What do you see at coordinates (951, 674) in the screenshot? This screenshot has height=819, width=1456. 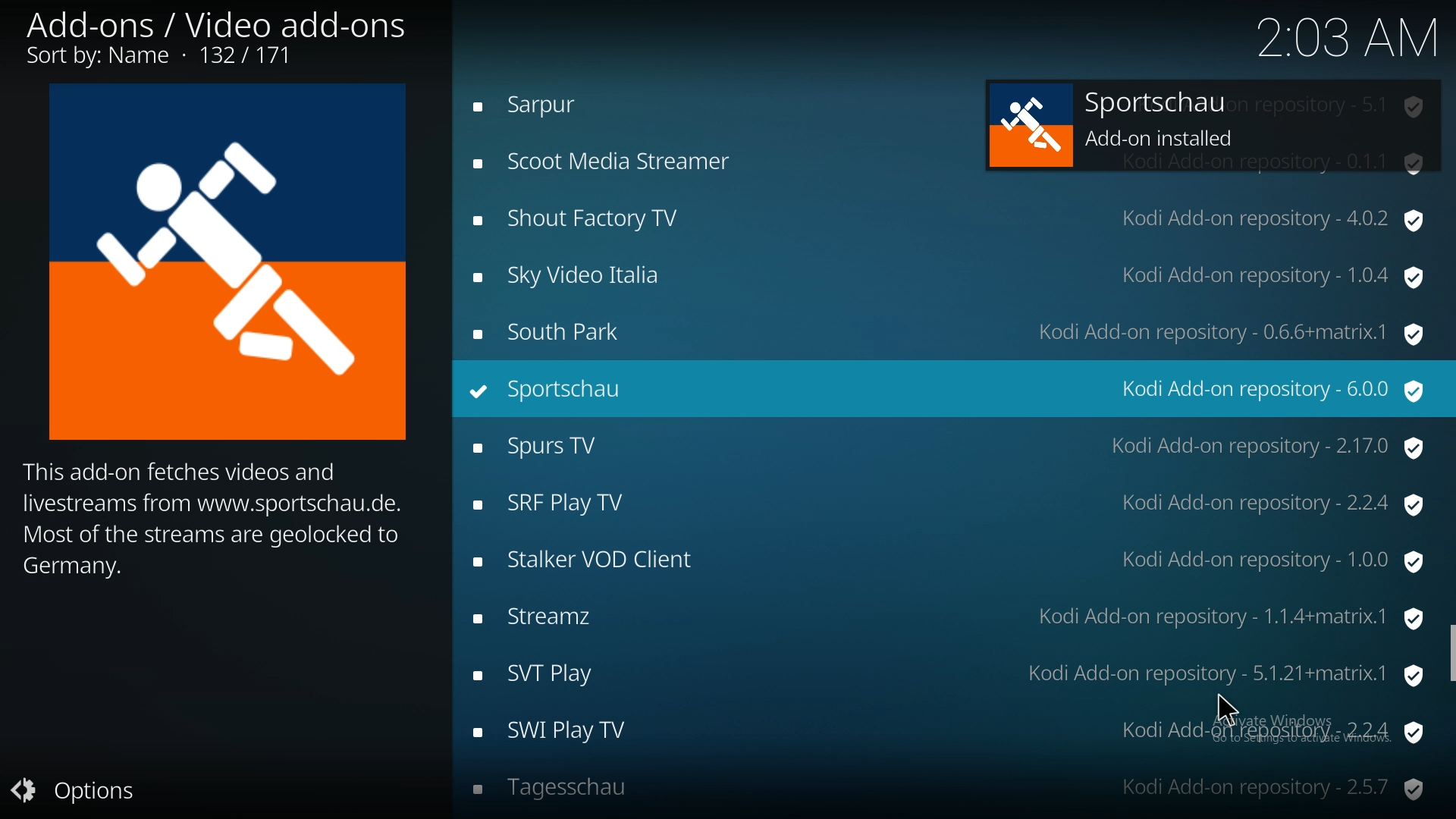 I see `svt play` at bounding box center [951, 674].